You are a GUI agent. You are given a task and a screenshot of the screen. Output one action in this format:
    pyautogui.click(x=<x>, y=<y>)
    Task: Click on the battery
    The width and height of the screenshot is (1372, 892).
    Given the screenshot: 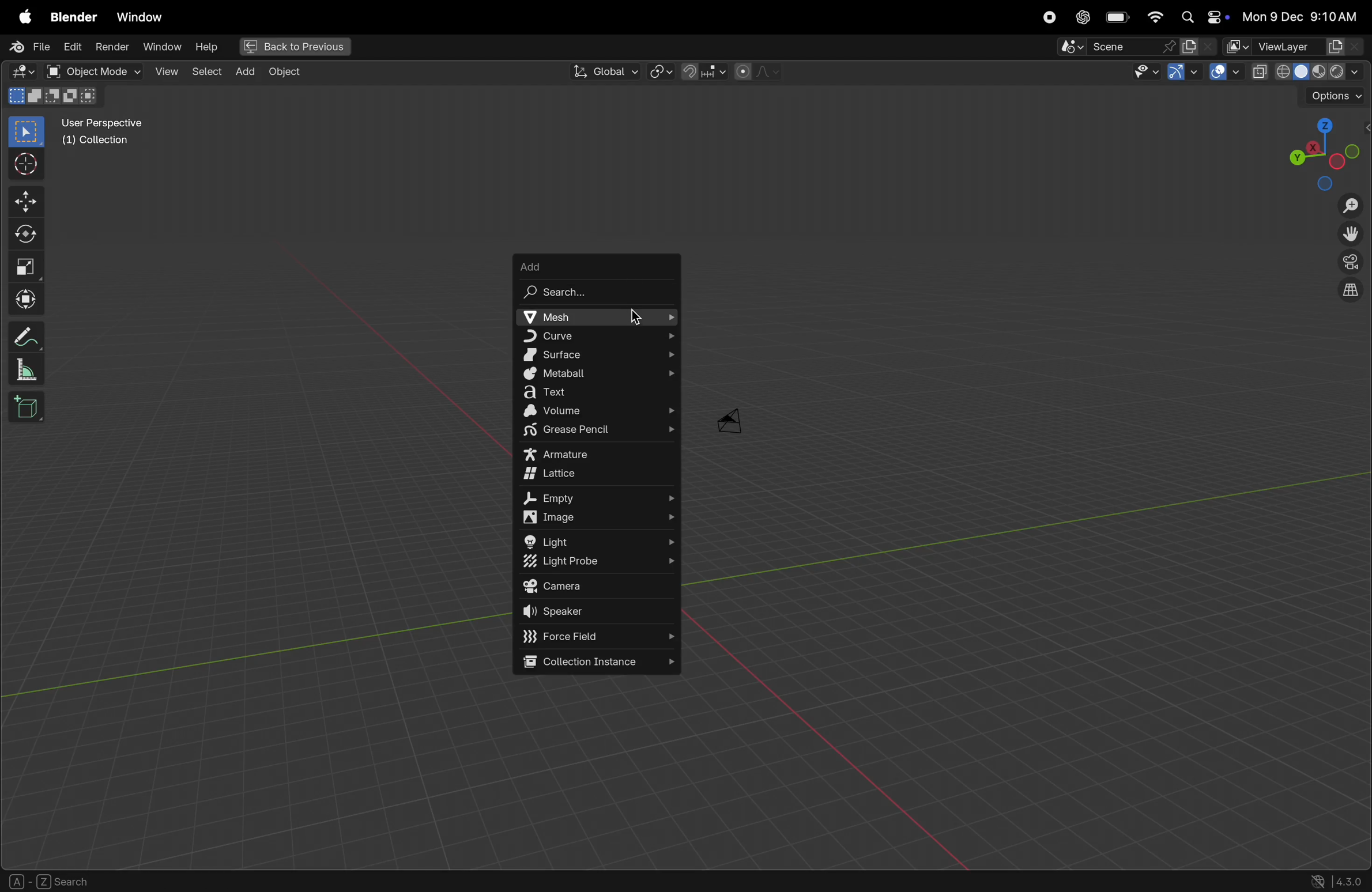 What is the action you would take?
    pyautogui.click(x=1118, y=18)
    